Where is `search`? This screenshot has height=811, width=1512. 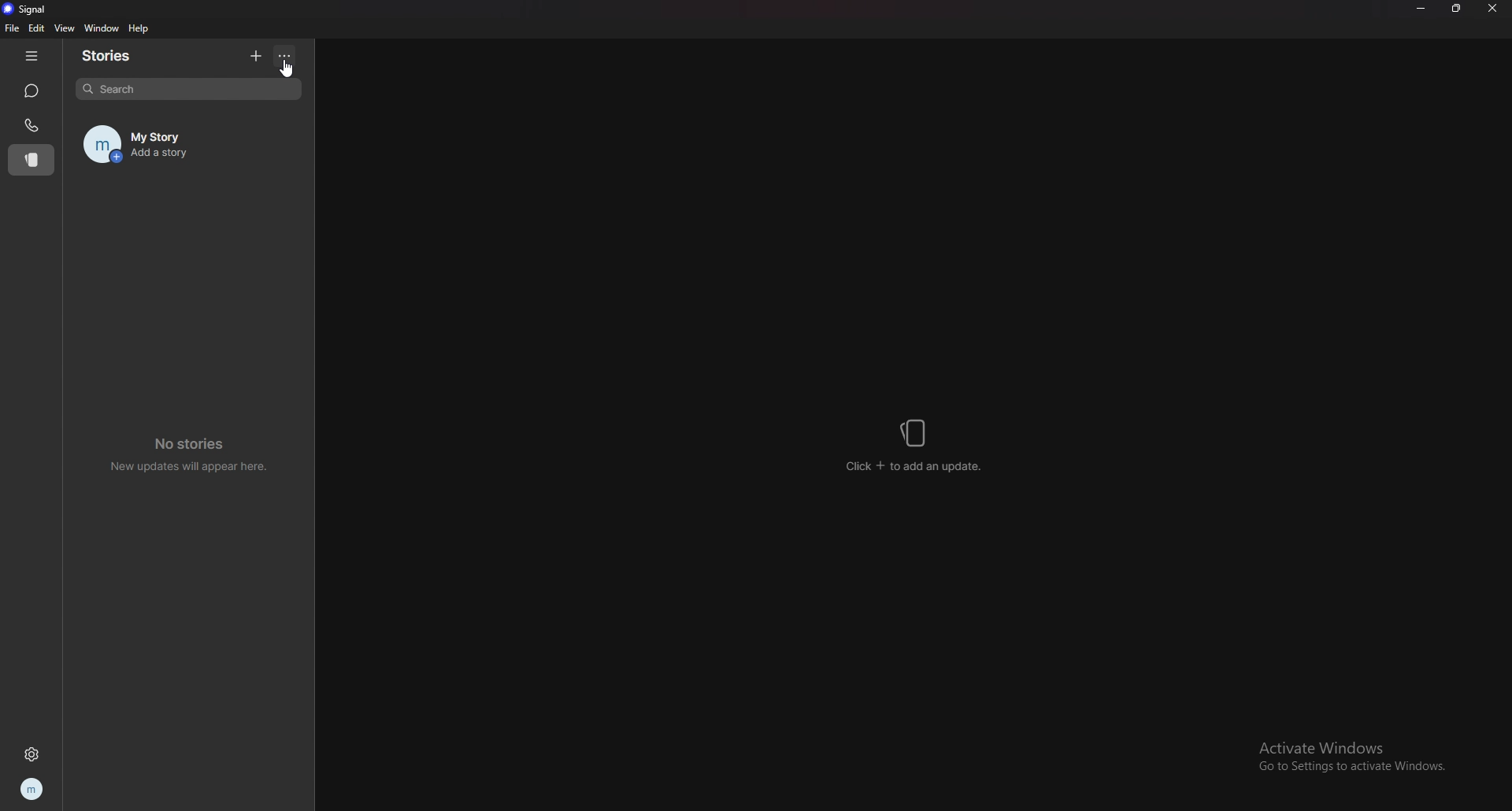 search is located at coordinates (188, 90).